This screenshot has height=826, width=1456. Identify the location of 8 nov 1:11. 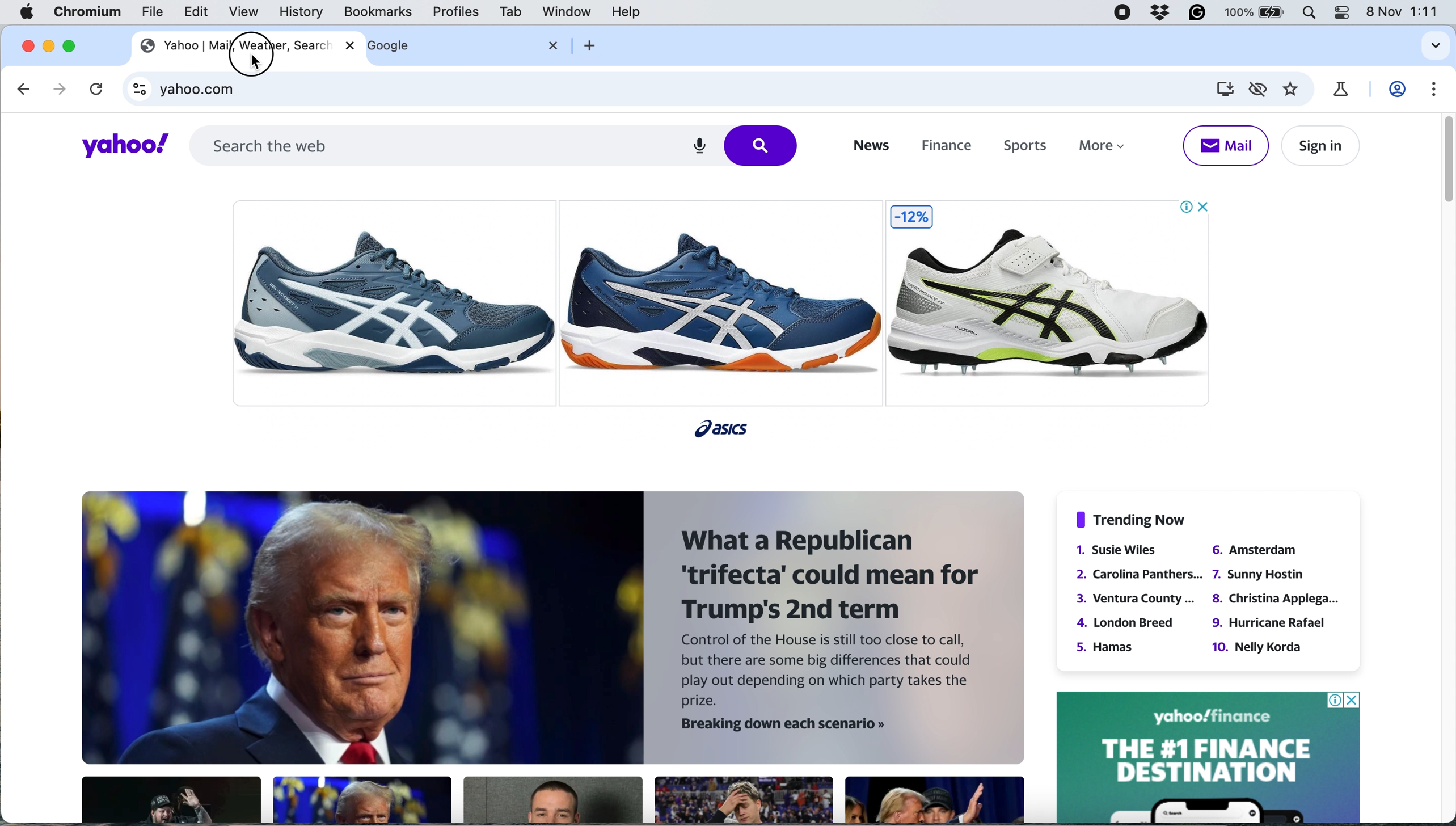
(1405, 12).